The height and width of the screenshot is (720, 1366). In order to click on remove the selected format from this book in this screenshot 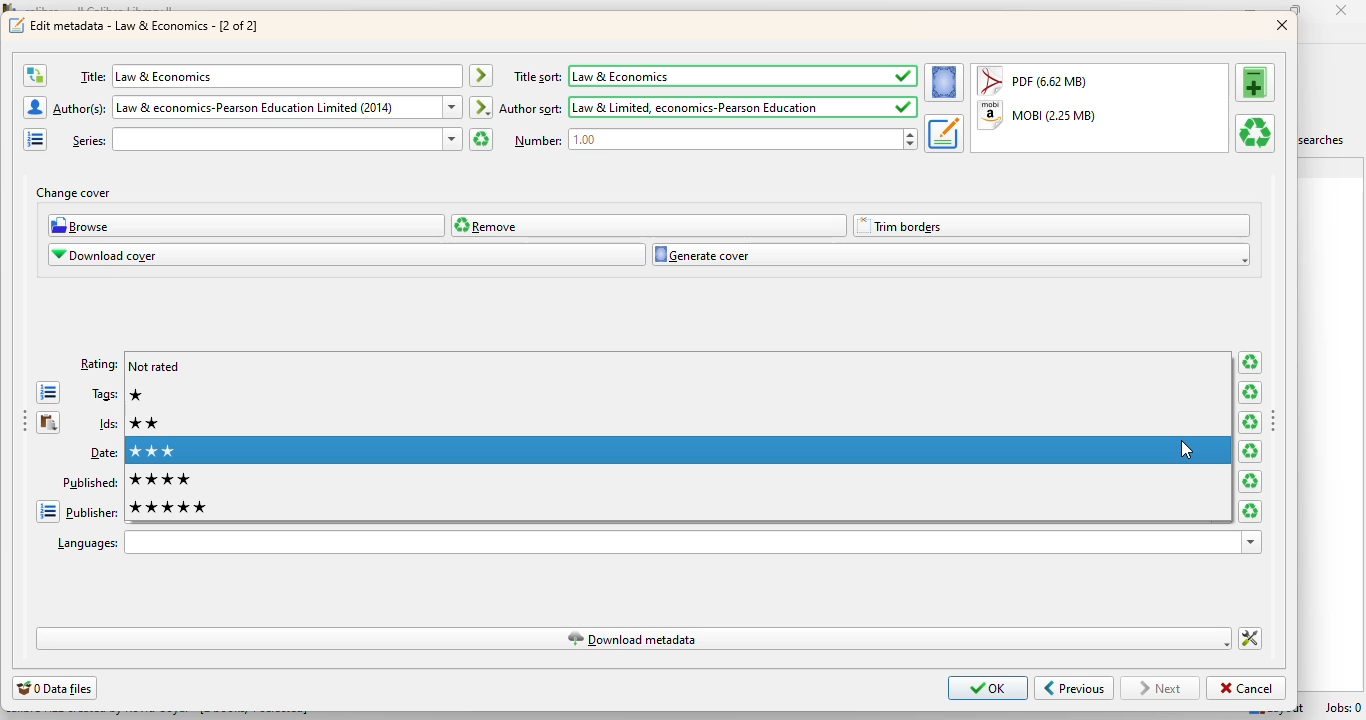, I will do `click(1254, 133)`.